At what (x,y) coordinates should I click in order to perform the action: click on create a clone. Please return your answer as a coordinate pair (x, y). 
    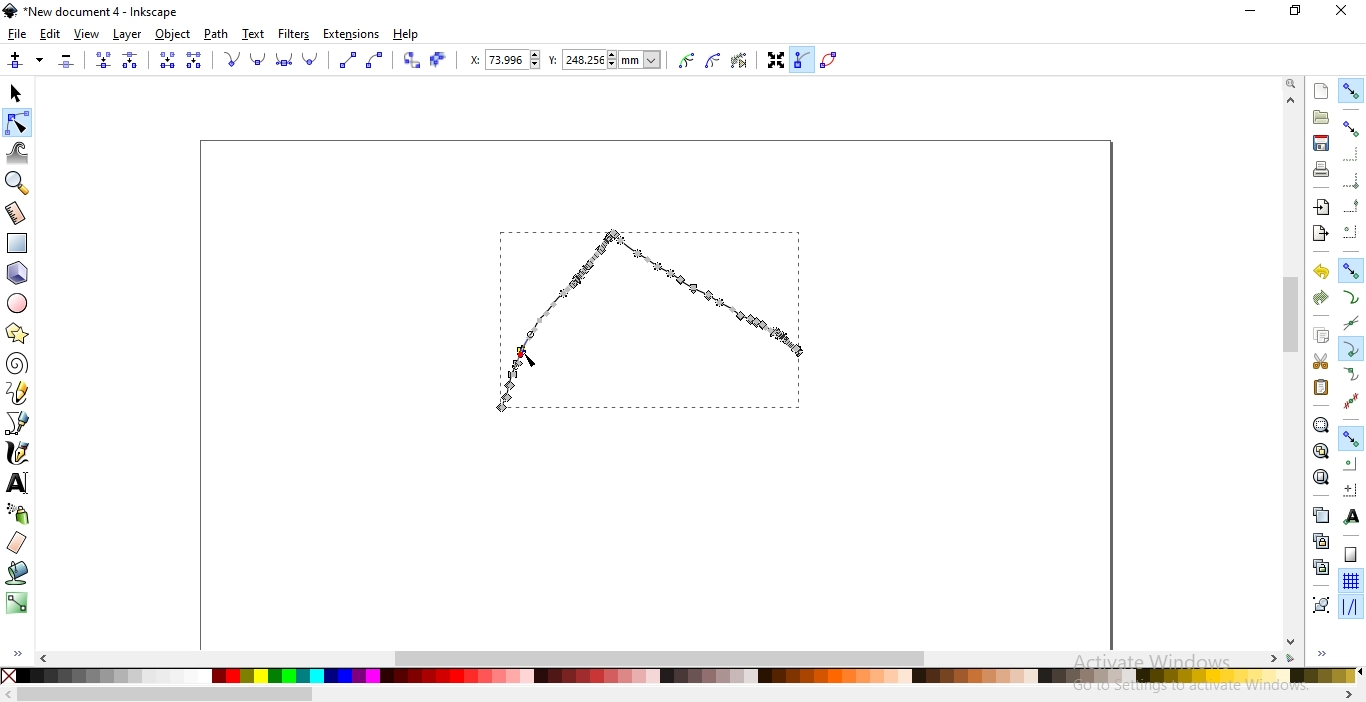
    Looking at the image, I should click on (1320, 540).